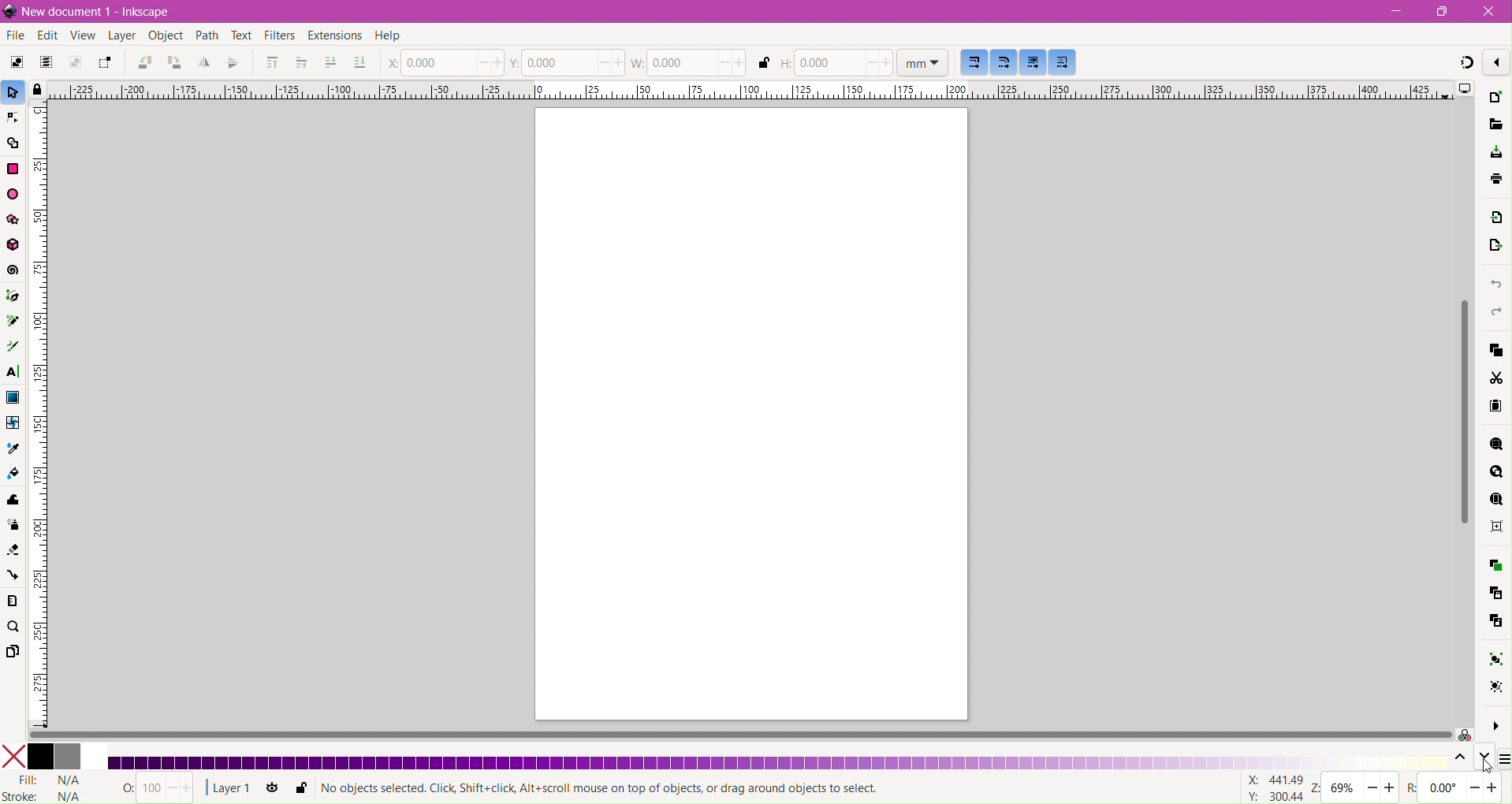 The image size is (1512, 804). Describe the element at coordinates (45, 35) in the screenshot. I see `Edit` at that location.